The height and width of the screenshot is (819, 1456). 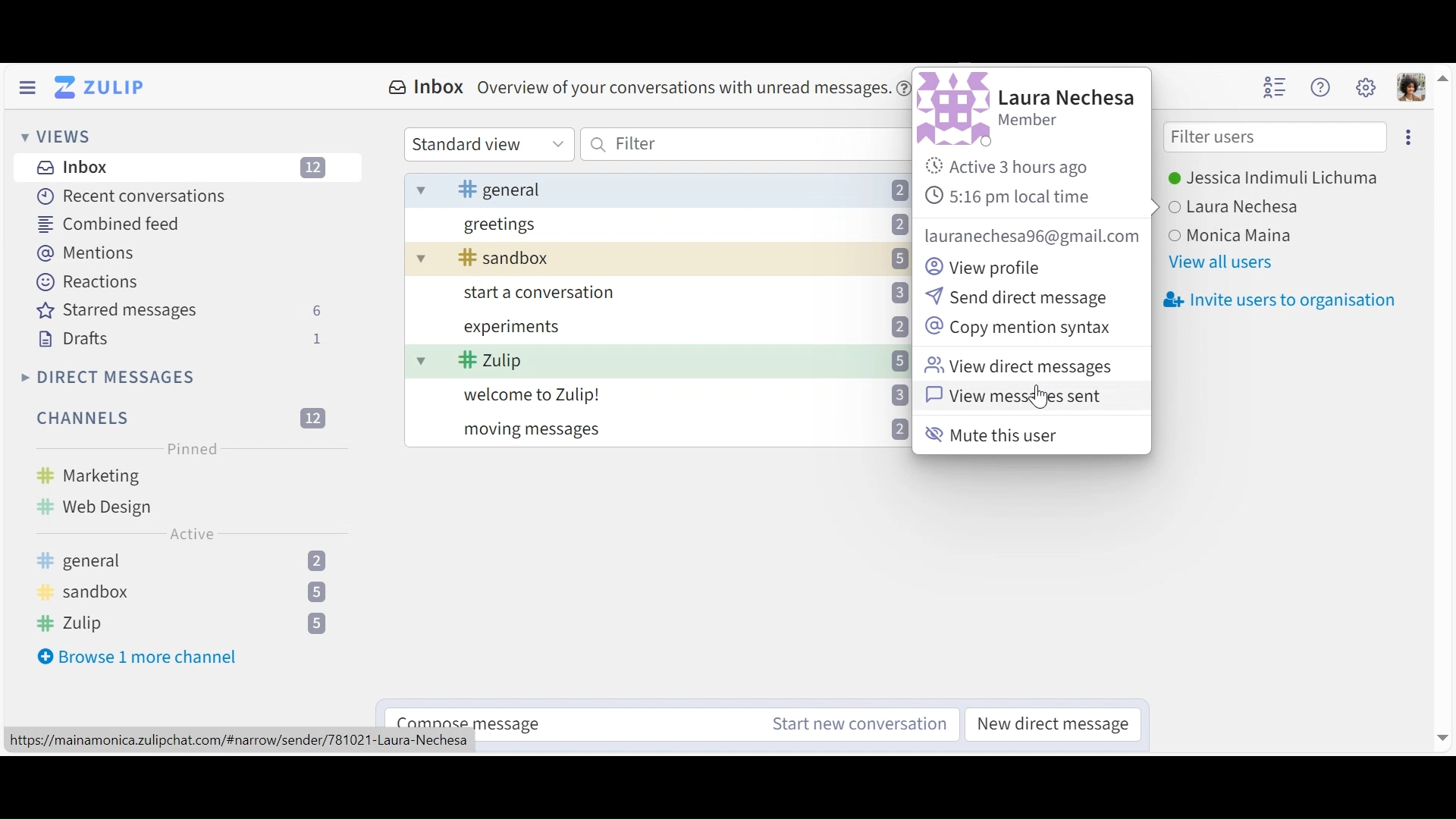 I want to click on marketing, so click(x=117, y=477).